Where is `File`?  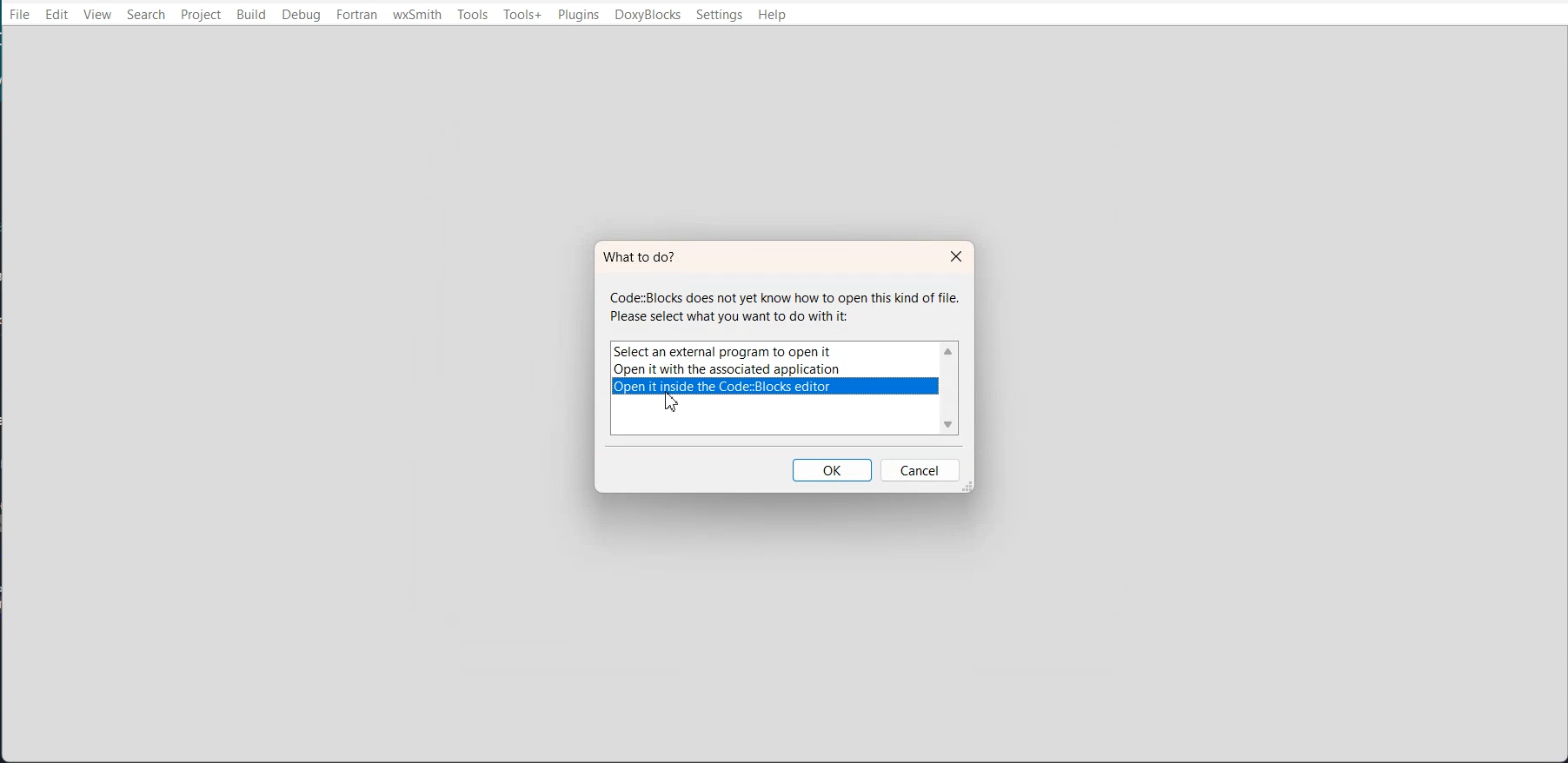
File is located at coordinates (19, 14).